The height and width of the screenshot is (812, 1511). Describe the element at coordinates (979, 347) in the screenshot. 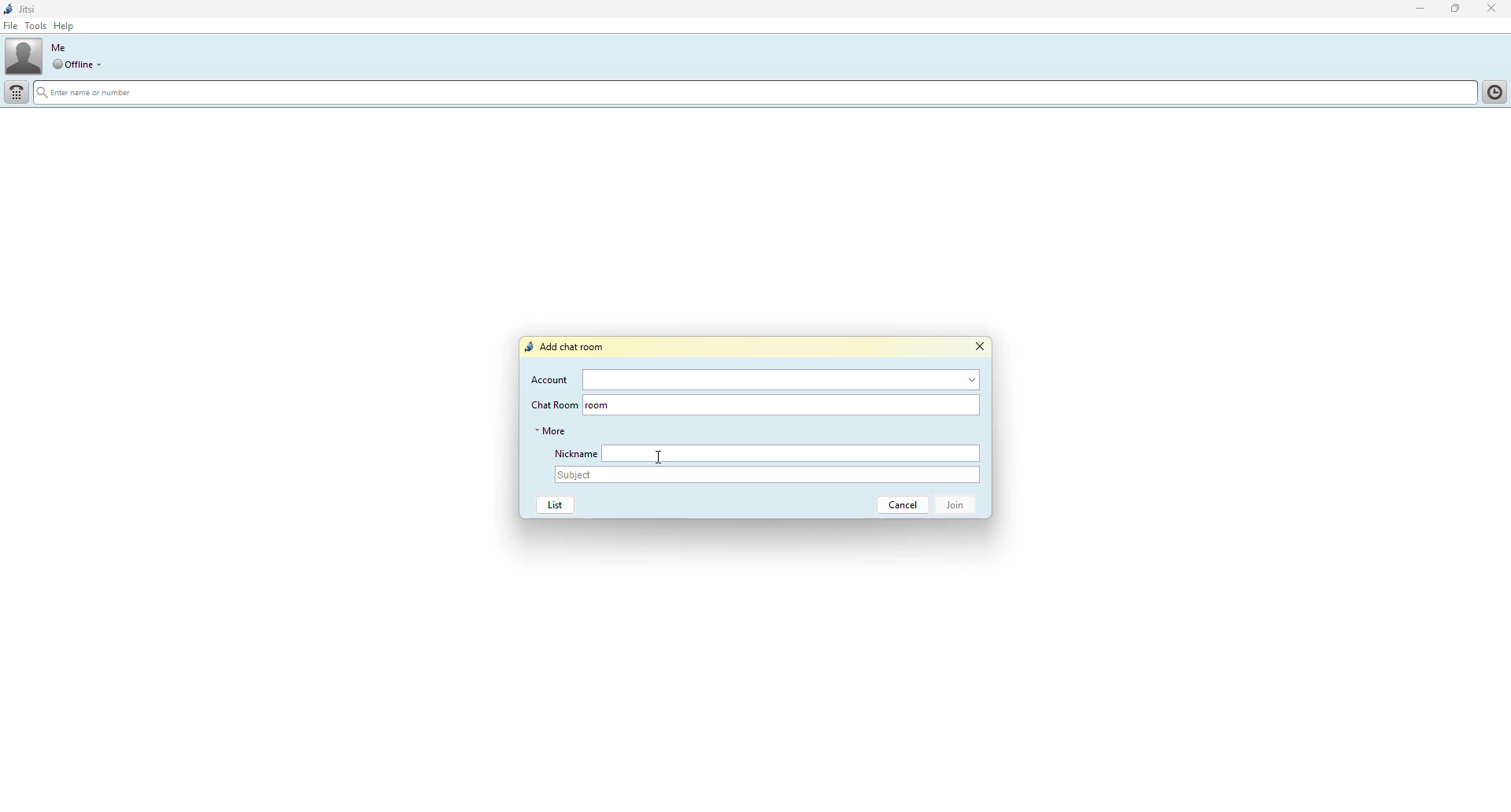

I see `close` at that location.